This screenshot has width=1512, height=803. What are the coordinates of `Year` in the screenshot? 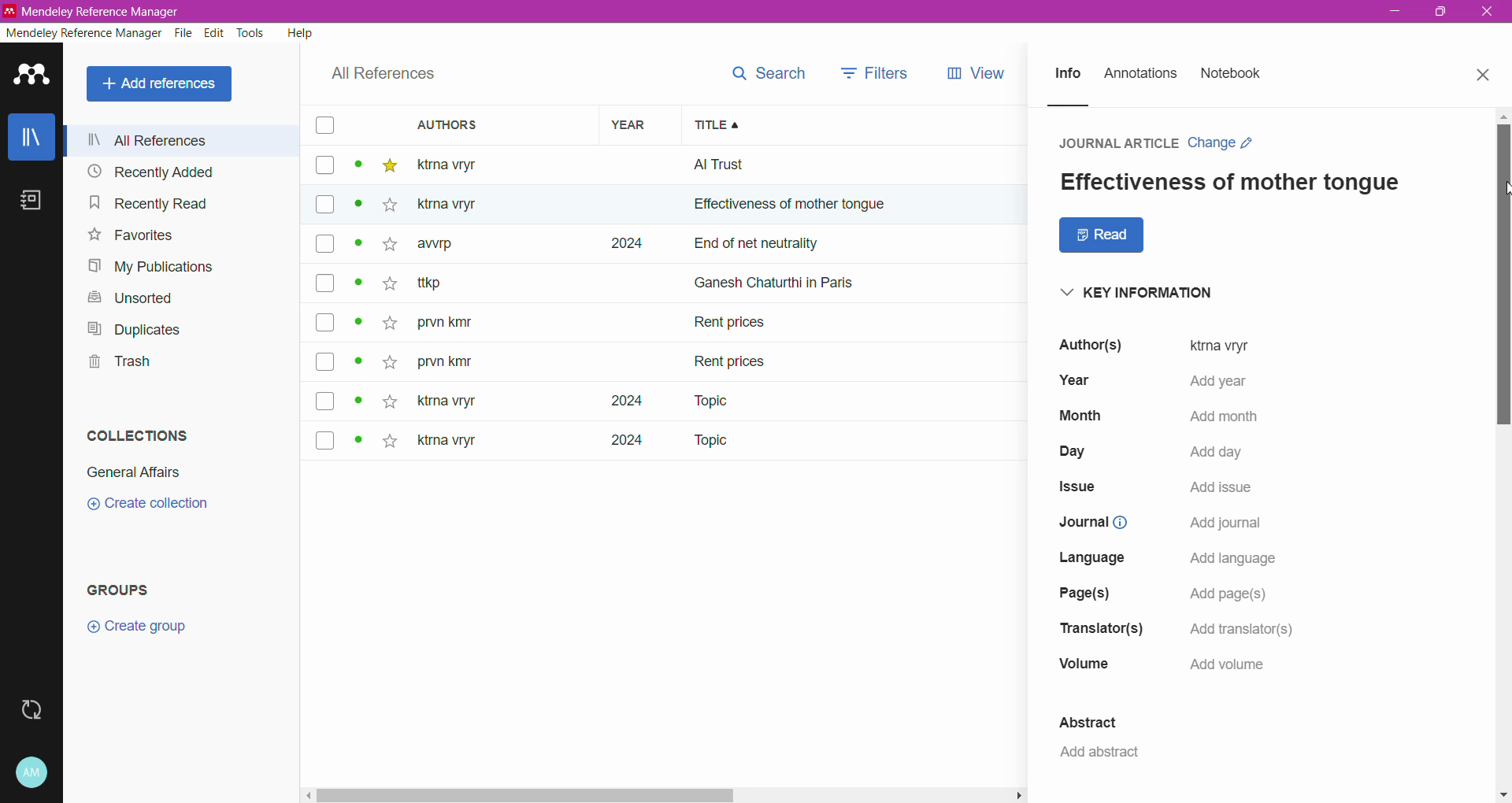 It's located at (633, 124).